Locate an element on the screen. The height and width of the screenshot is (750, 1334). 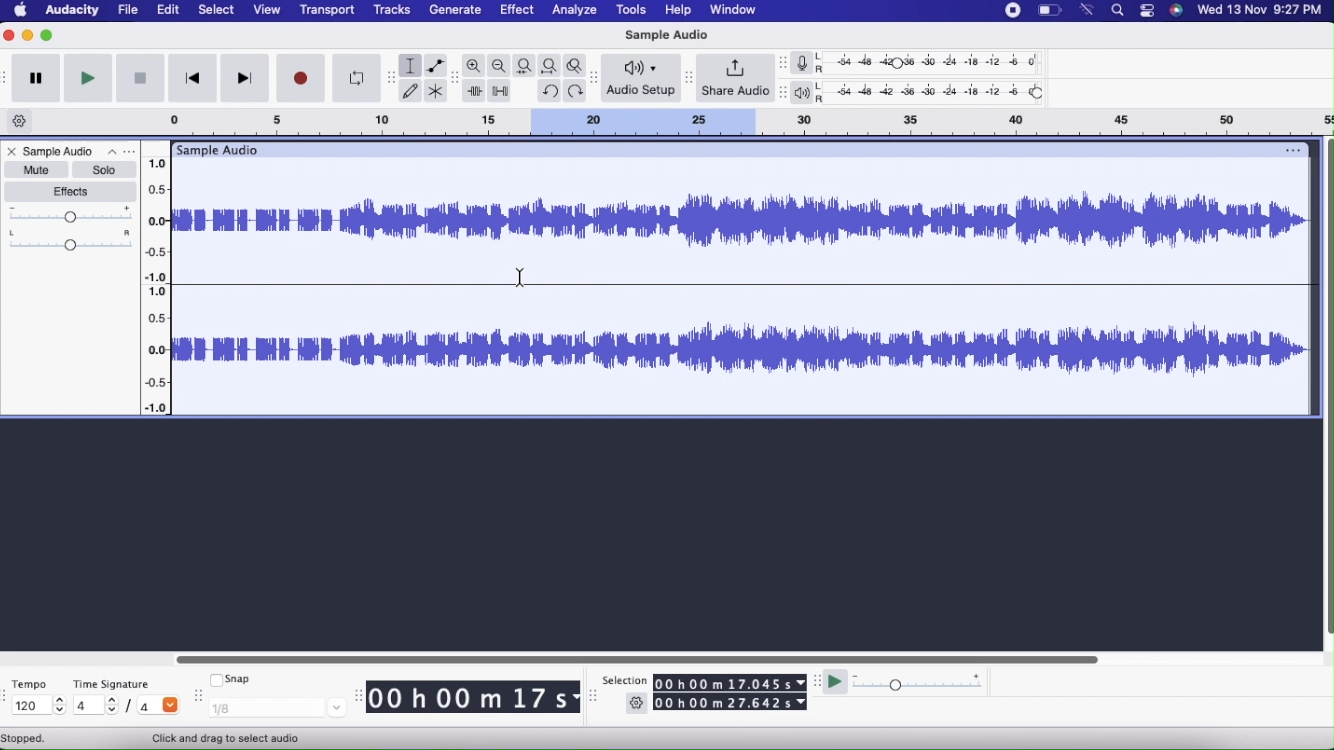
Trim audio outside selection is located at coordinates (474, 92).